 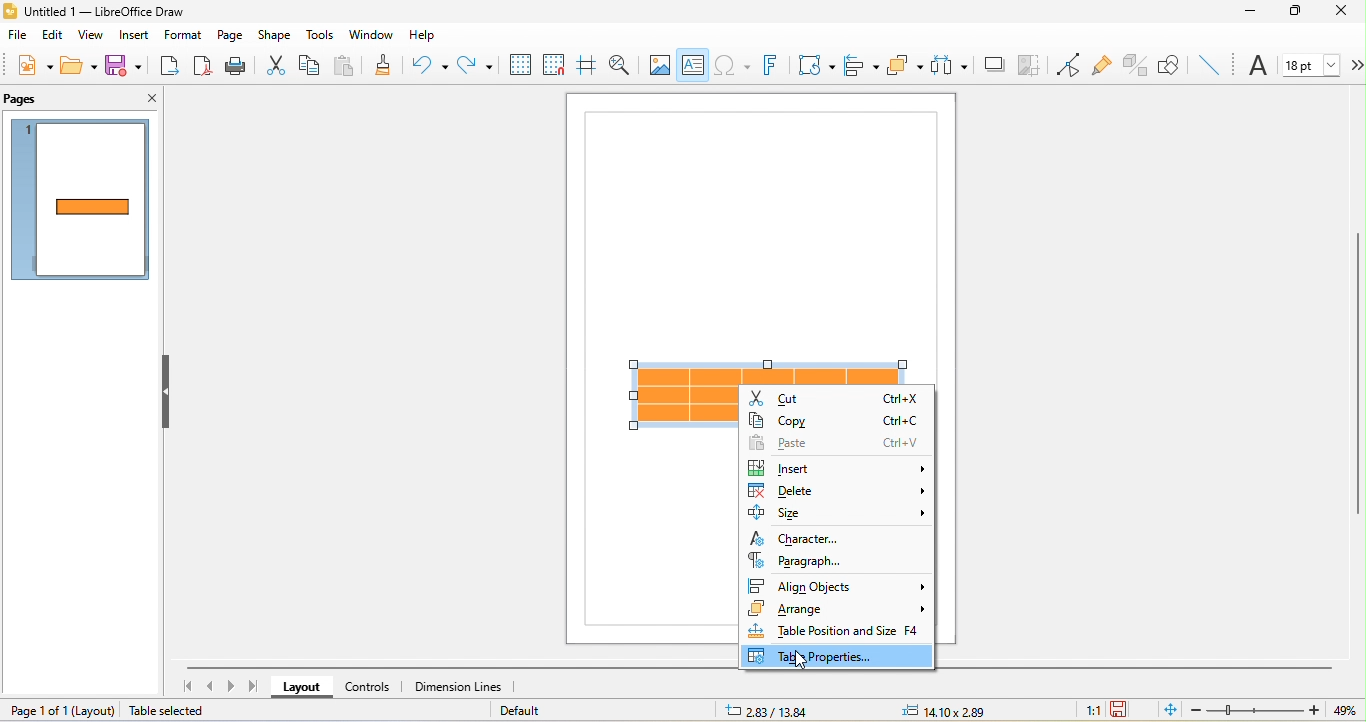 What do you see at coordinates (990, 65) in the screenshot?
I see `shadow` at bounding box center [990, 65].